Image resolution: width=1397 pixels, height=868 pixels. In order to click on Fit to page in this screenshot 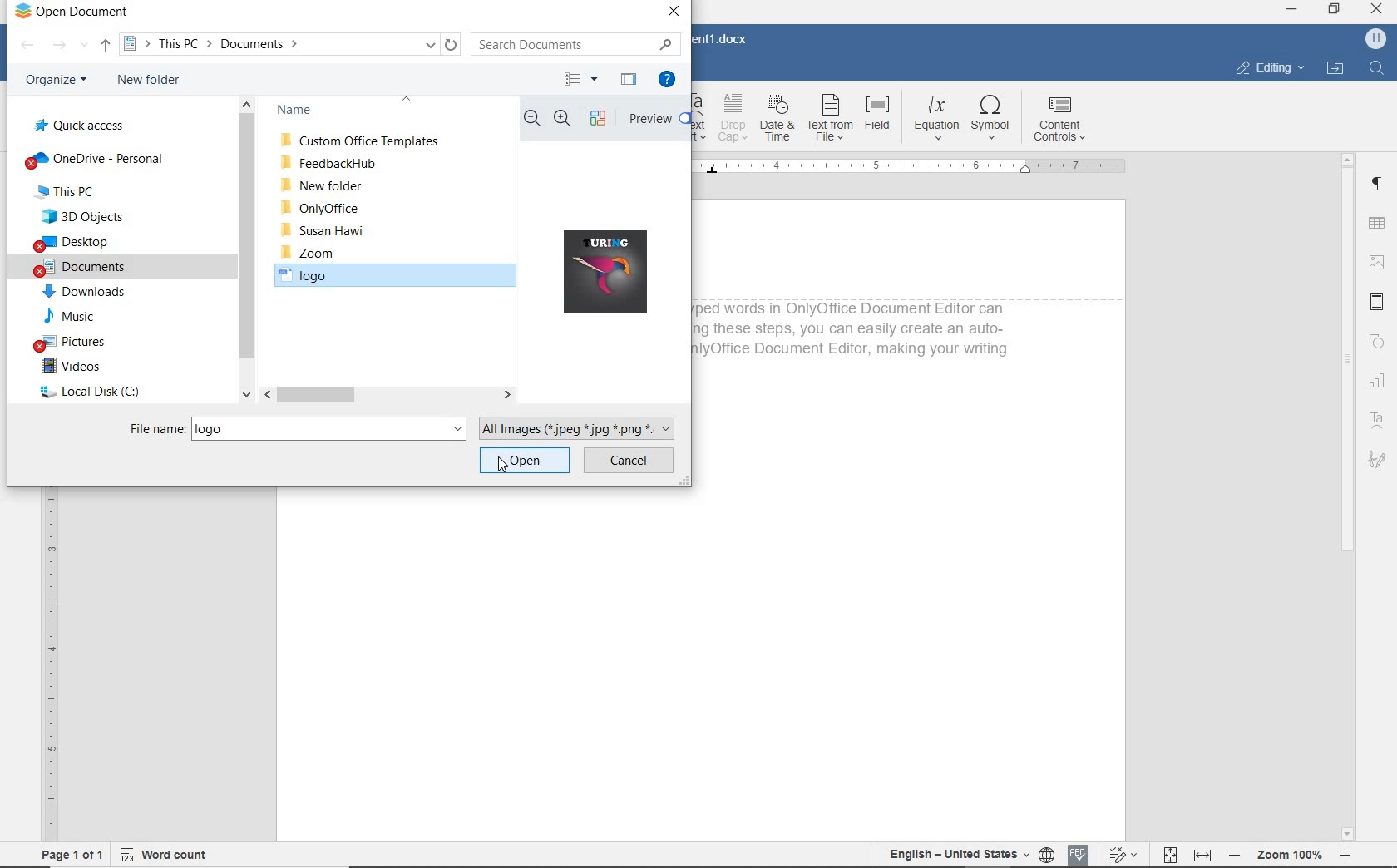, I will do `click(1168, 854)`.